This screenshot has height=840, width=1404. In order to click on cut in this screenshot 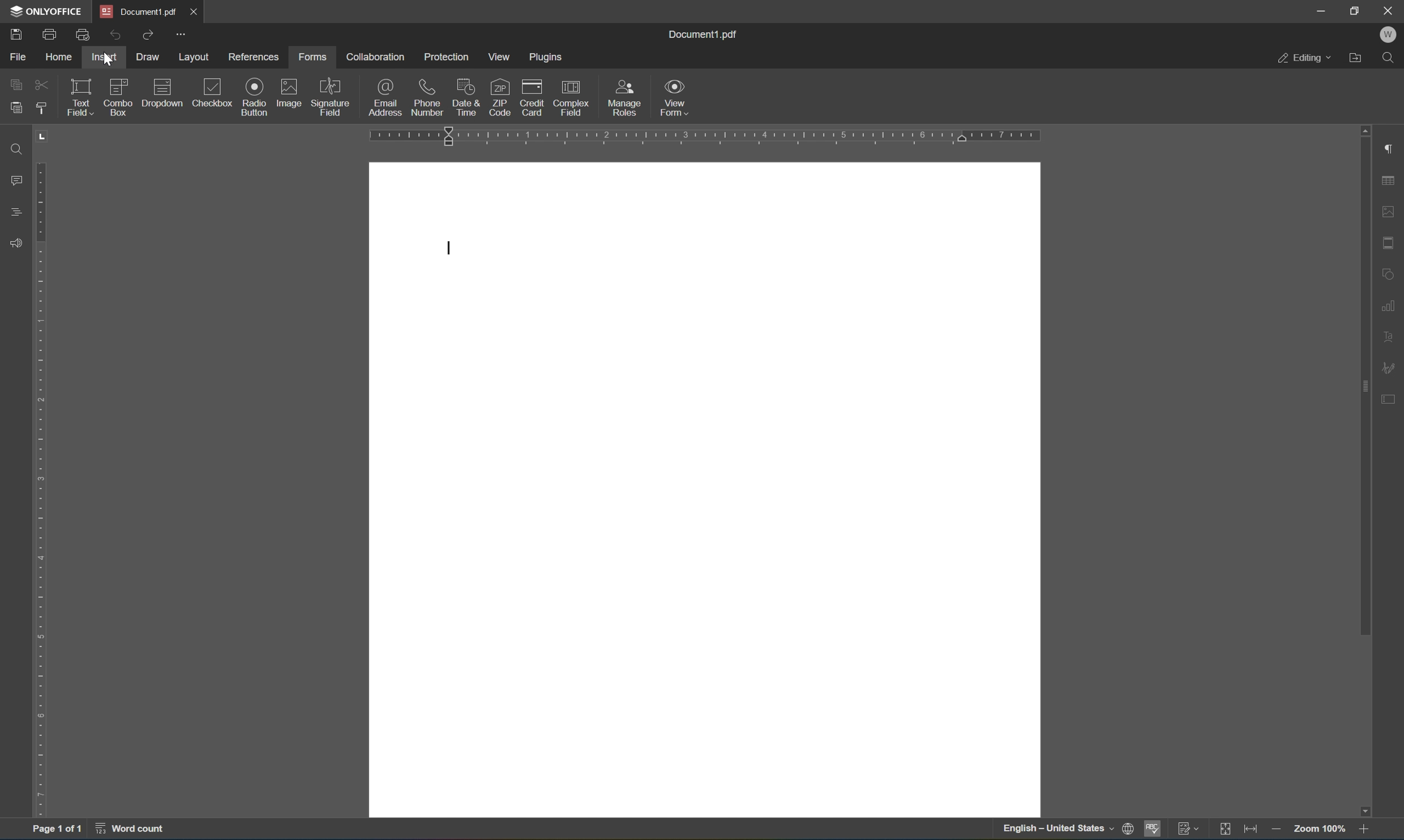, I will do `click(42, 84)`.